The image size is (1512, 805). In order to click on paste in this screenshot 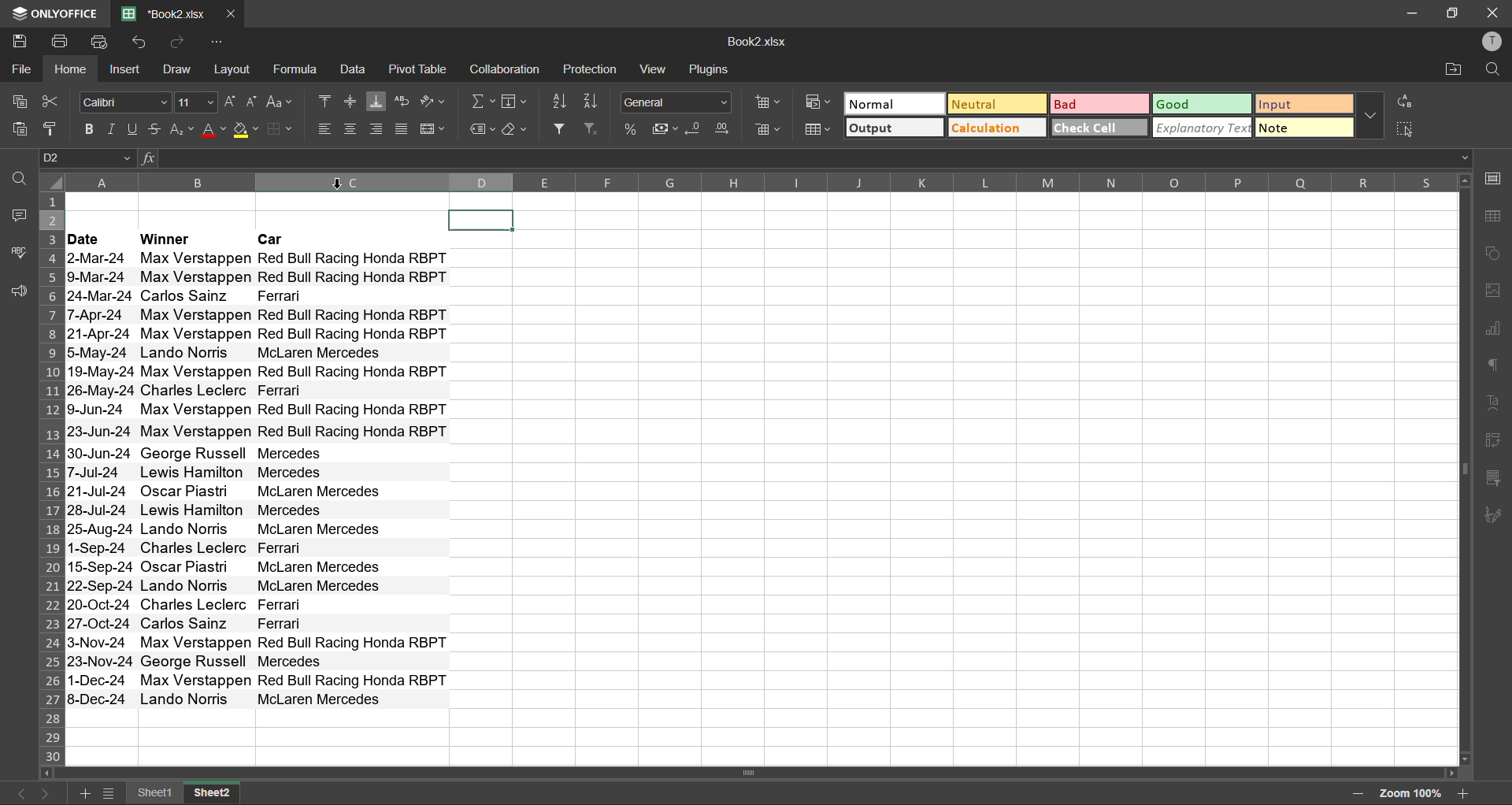, I will do `click(24, 130)`.